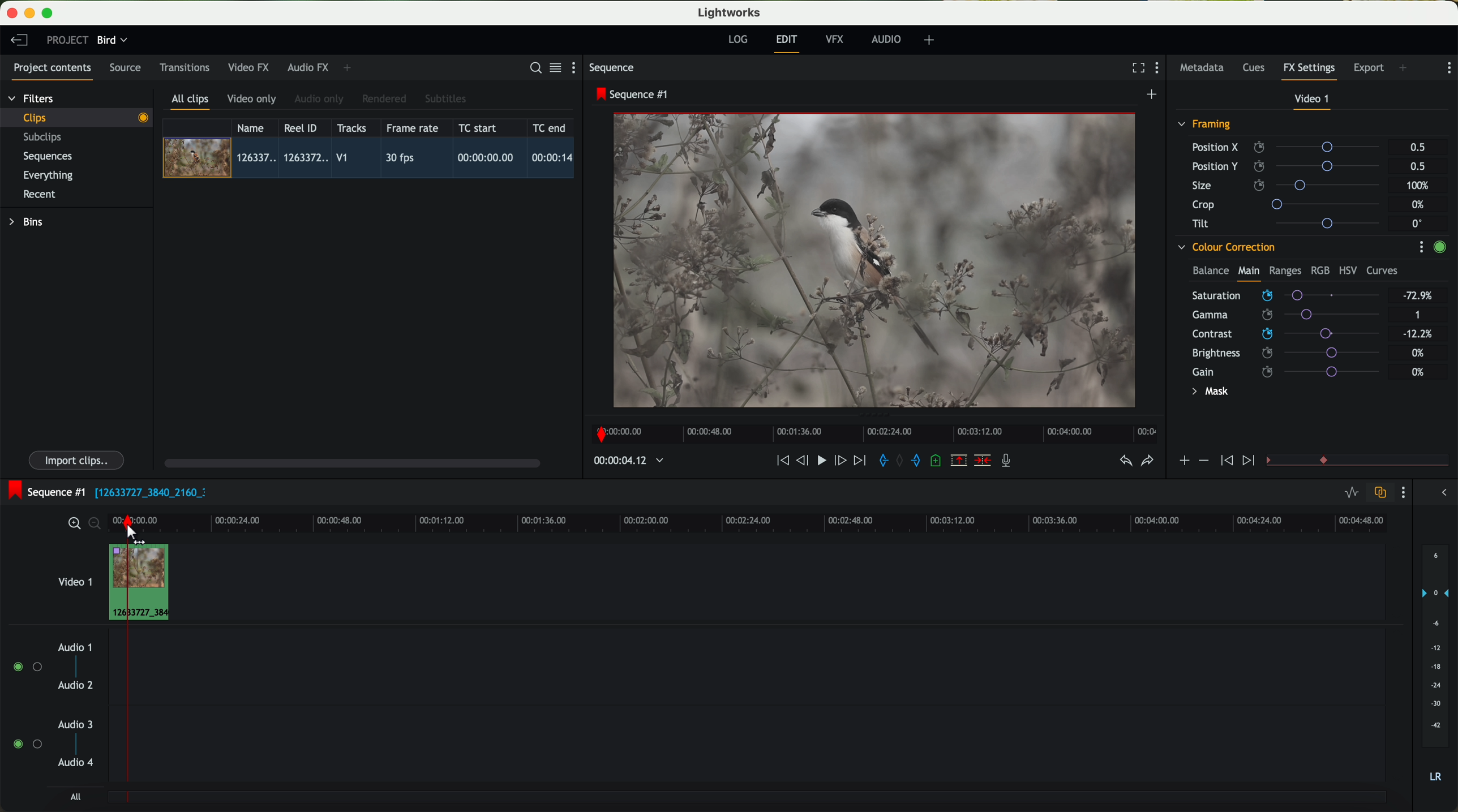 This screenshot has width=1458, height=812. What do you see at coordinates (308, 67) in the screenshot?
I see `audio FX` at bounding box center [308, 67].